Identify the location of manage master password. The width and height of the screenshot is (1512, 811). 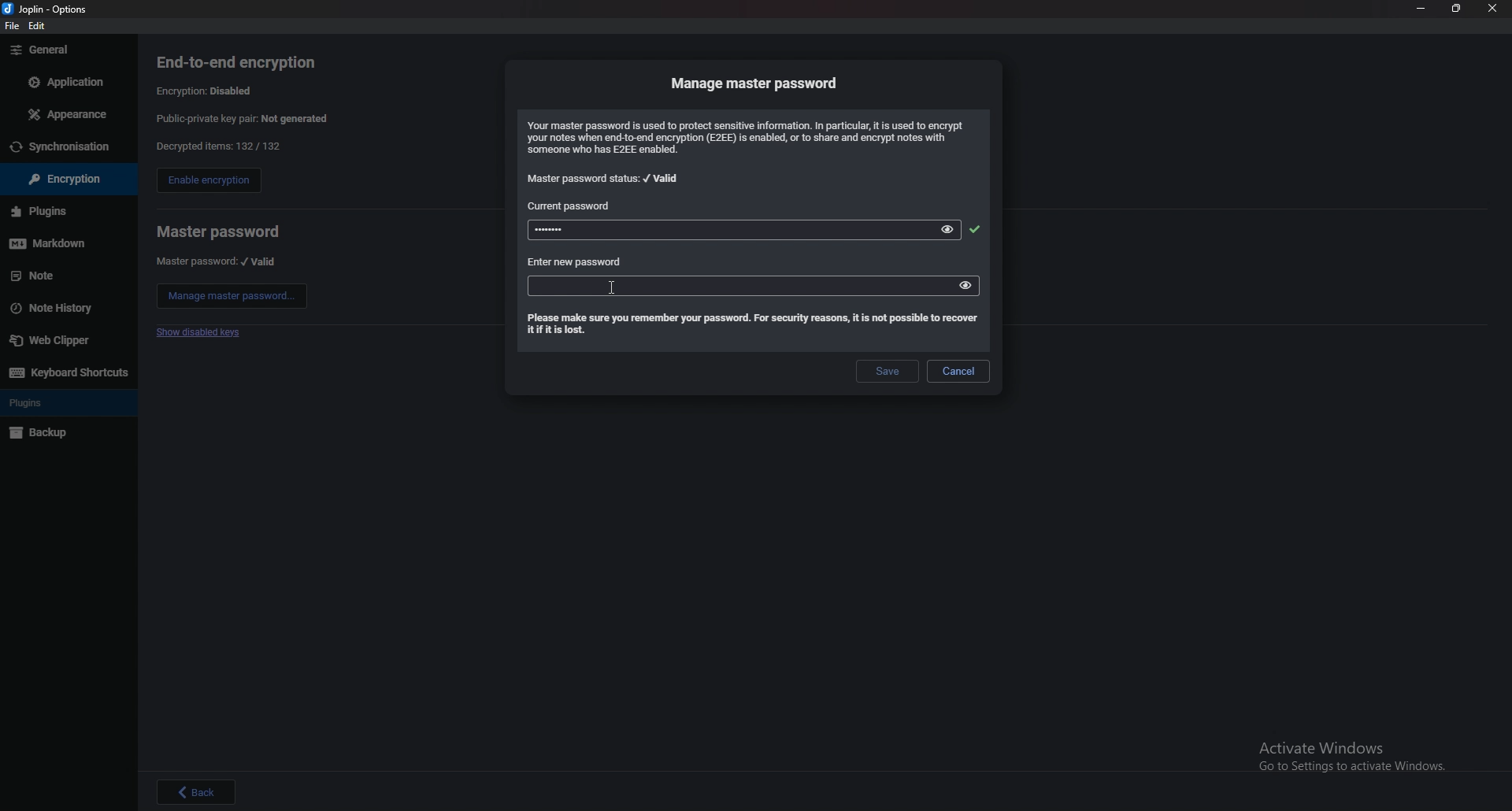
(232, 296).